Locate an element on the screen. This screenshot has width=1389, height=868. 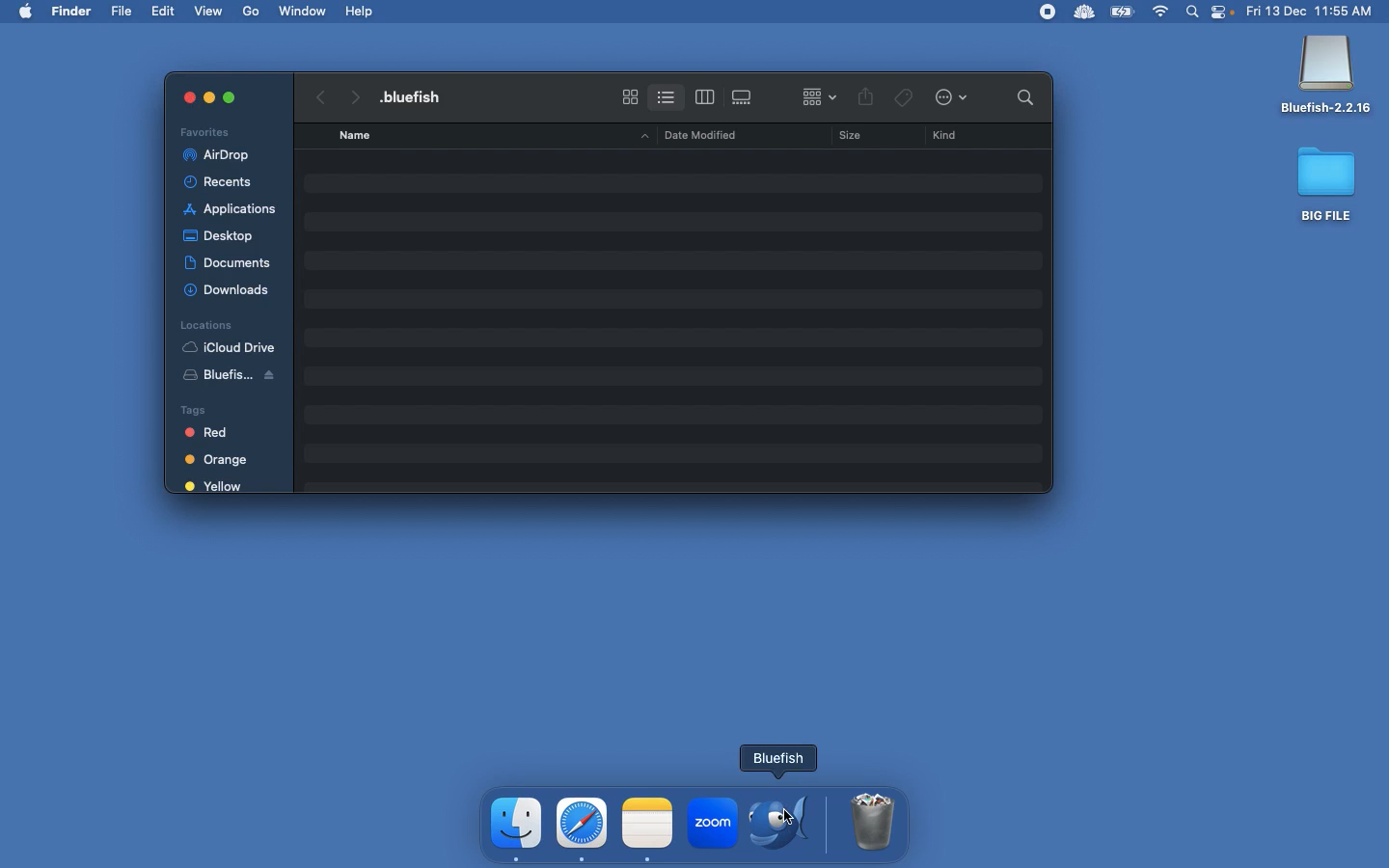
search is located at coordinates (1021, 96).